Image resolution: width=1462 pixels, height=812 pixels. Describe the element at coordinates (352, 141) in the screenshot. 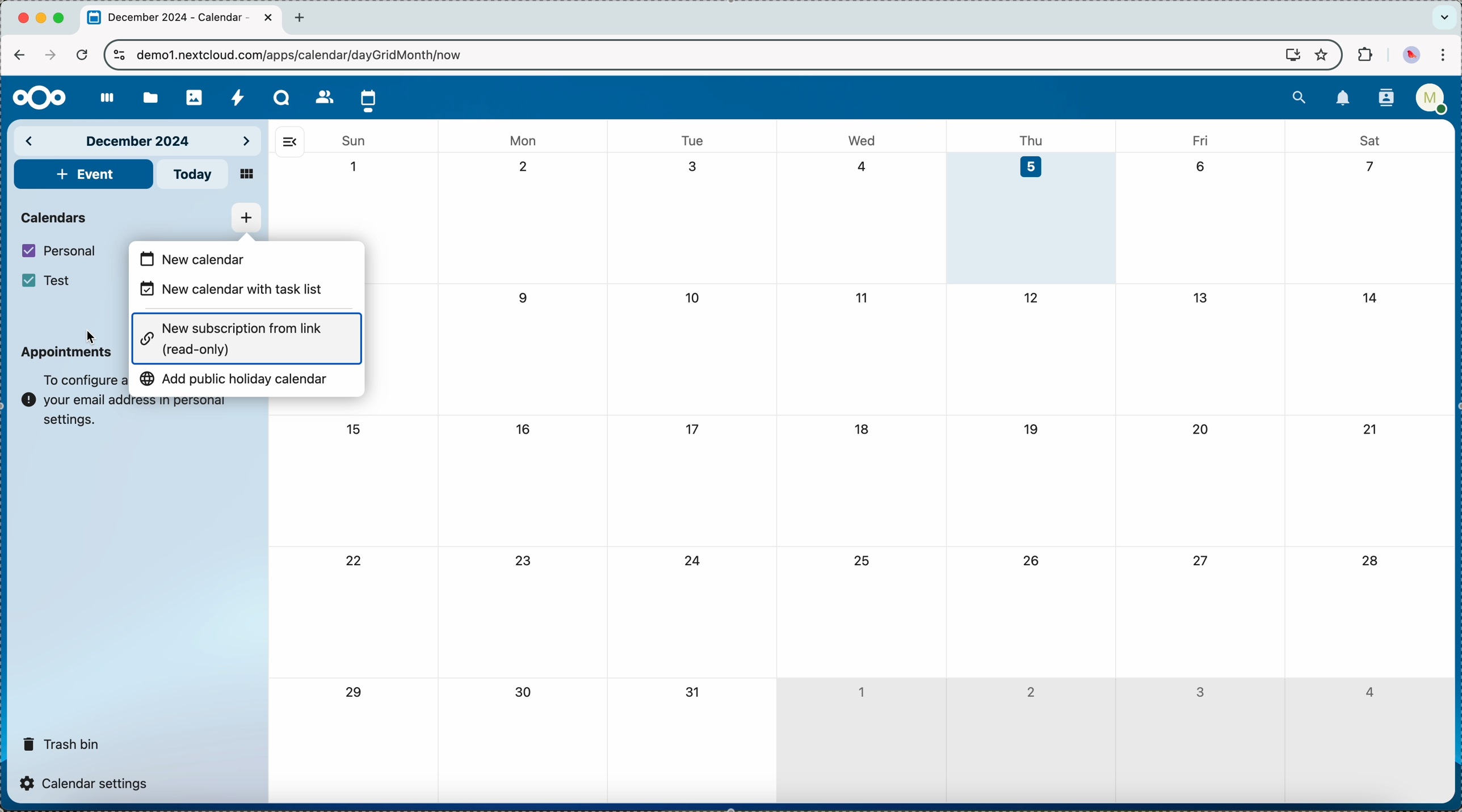

I see `sun` at that location.